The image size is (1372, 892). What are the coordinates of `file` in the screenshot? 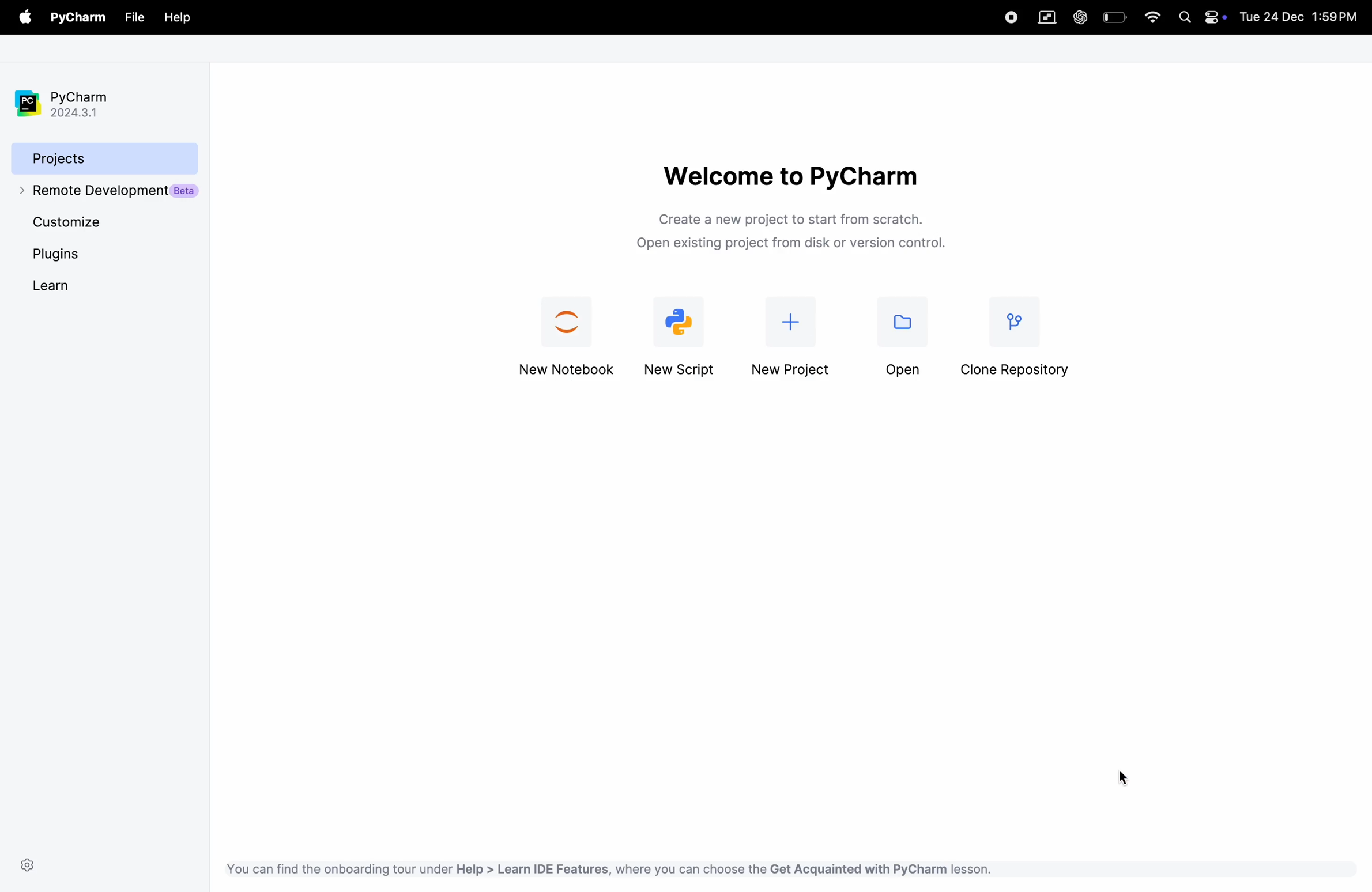 It's located at (135, 17).